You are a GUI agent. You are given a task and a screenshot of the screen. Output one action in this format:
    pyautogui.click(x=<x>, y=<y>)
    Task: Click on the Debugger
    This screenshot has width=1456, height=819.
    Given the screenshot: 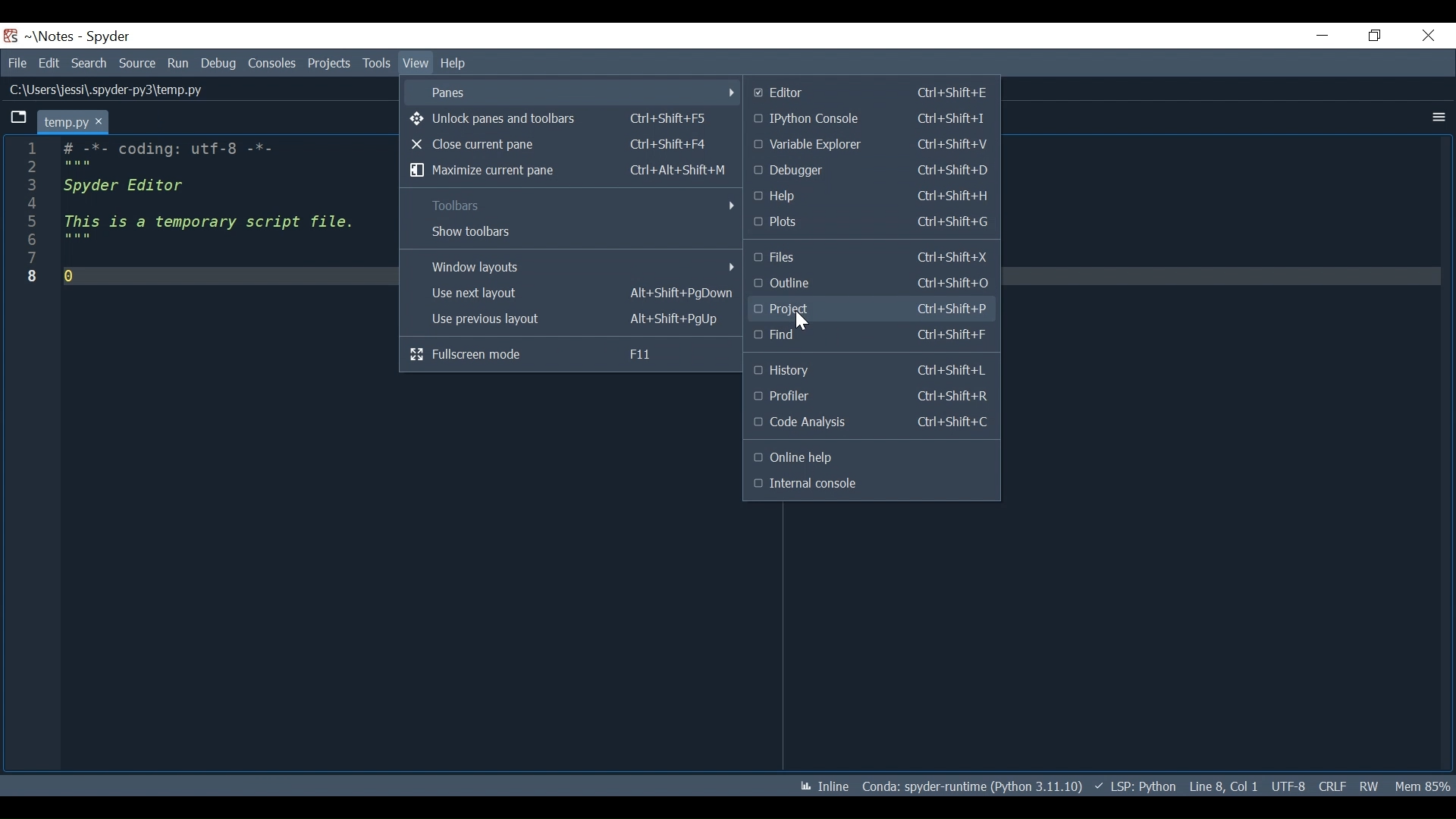 What is the action you would take?
    pyautogui.click(x=872, y=171)
    